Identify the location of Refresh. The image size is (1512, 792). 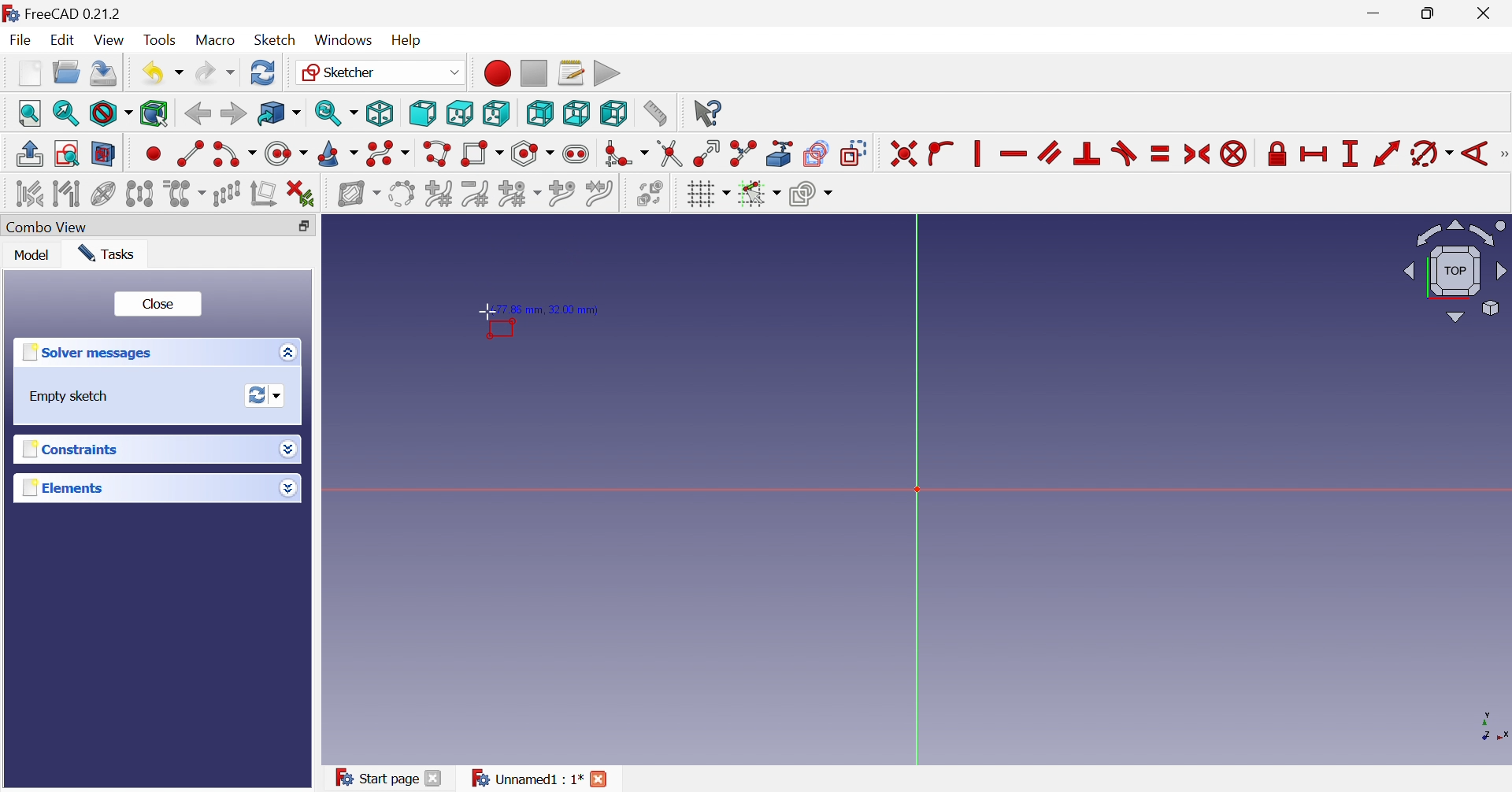
(263, 72).